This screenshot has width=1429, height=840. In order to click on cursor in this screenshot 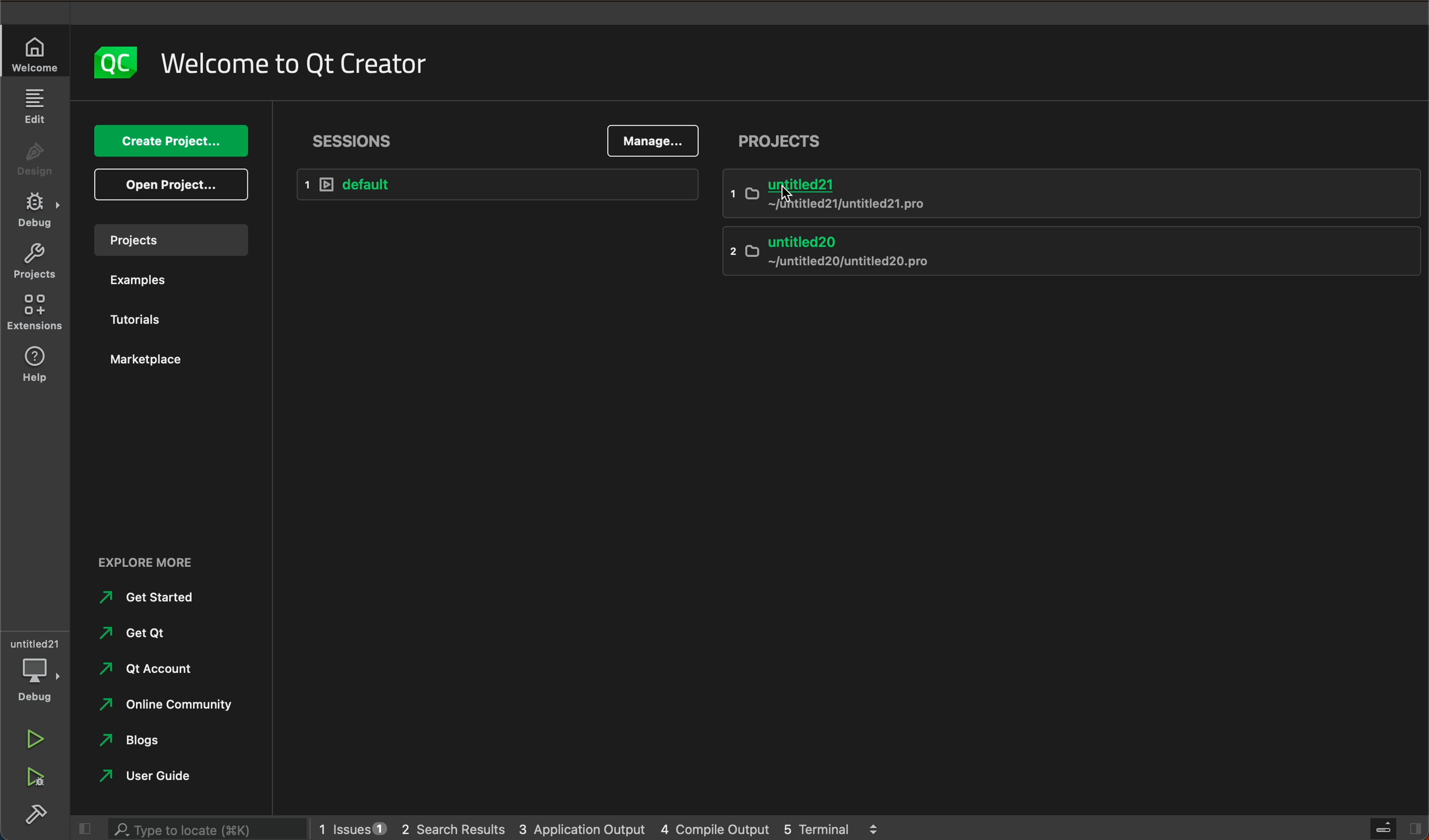, I will do `click(784, 196)`.